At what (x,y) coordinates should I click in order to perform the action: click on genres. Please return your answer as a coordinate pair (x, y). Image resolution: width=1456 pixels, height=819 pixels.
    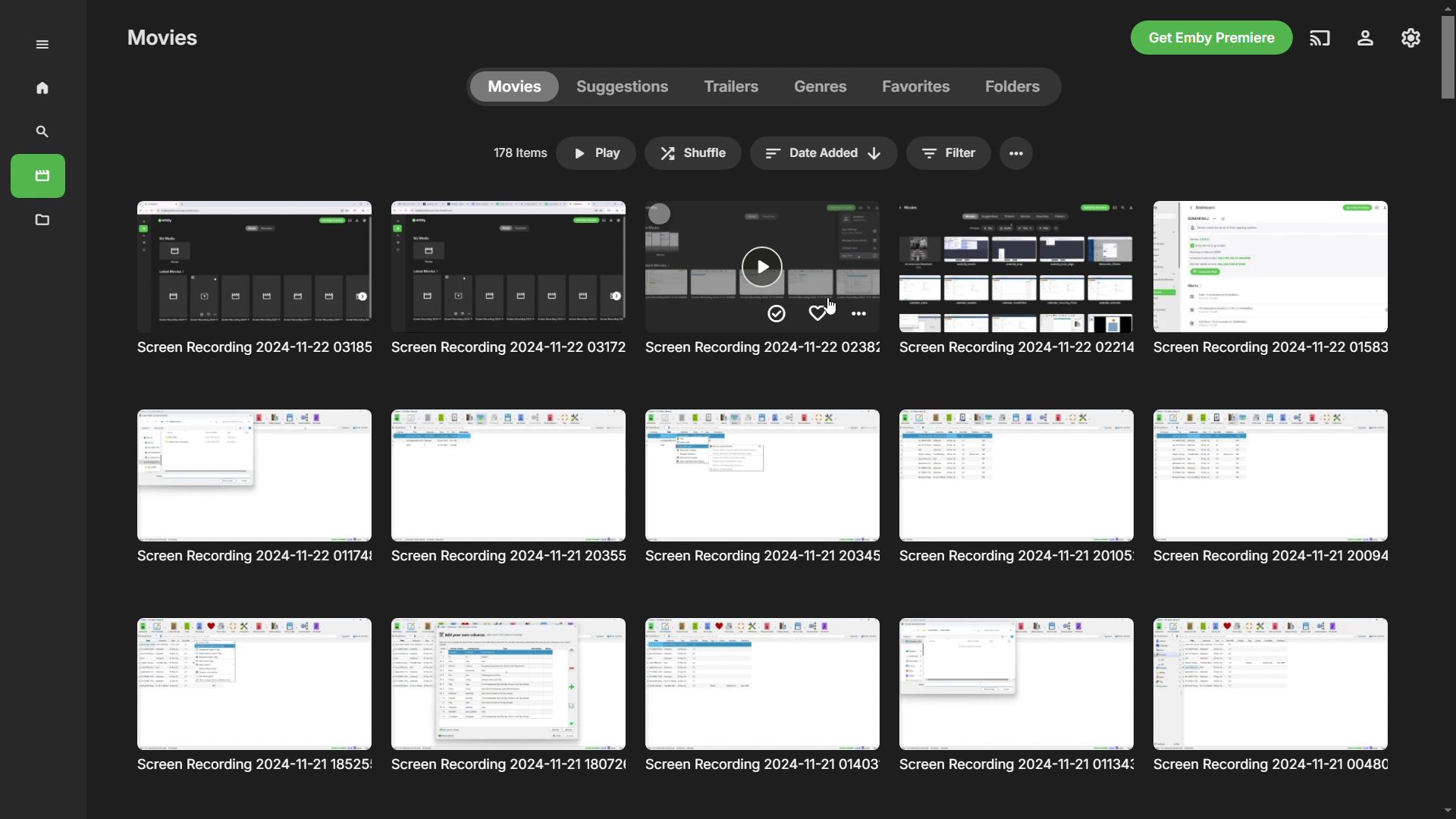
    Looking at the image, I should click on (824, 87).